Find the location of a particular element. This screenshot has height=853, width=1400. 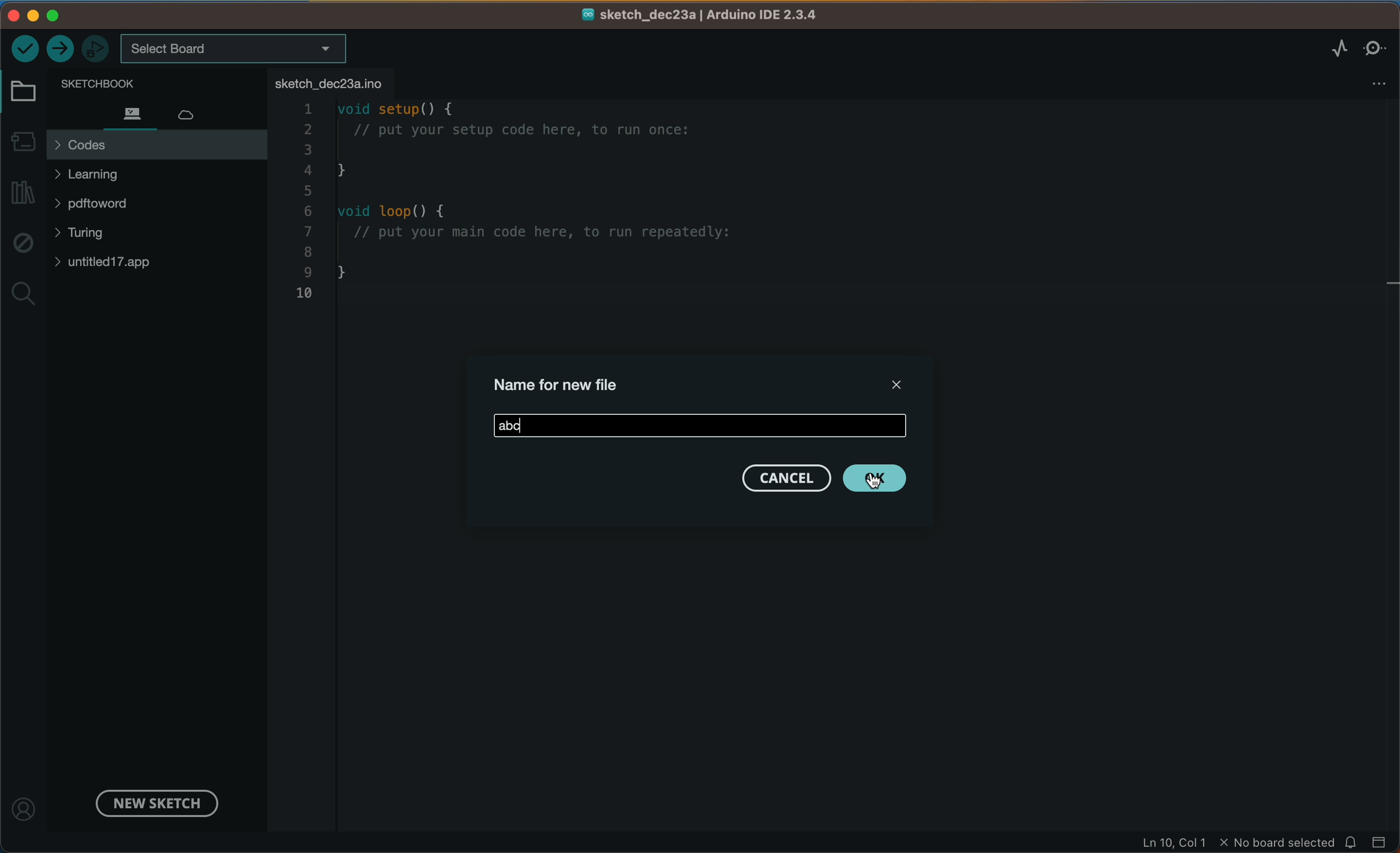

close is located at coordinates (893, 382).